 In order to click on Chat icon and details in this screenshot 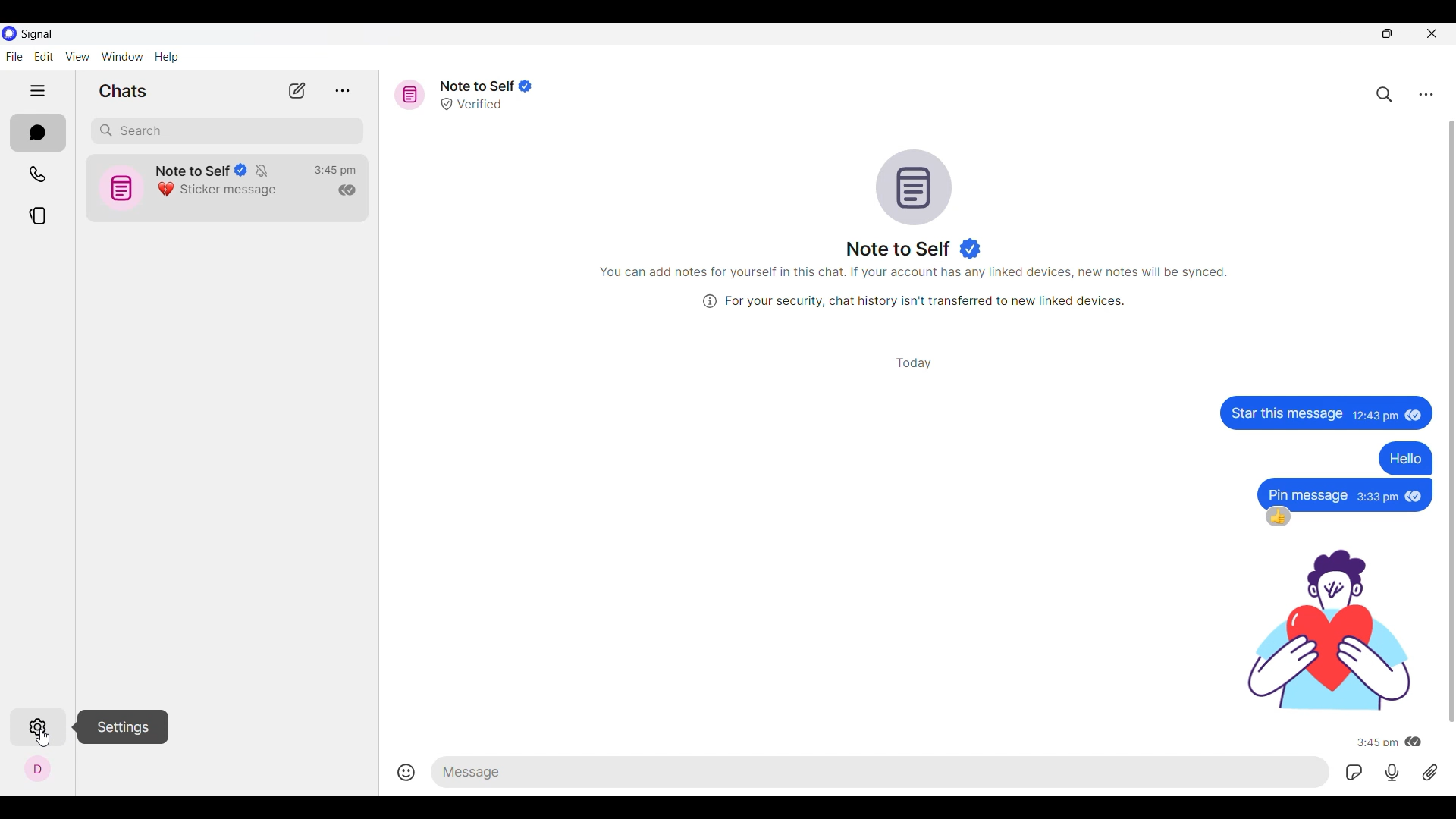, I will do `click(187, 186)`.